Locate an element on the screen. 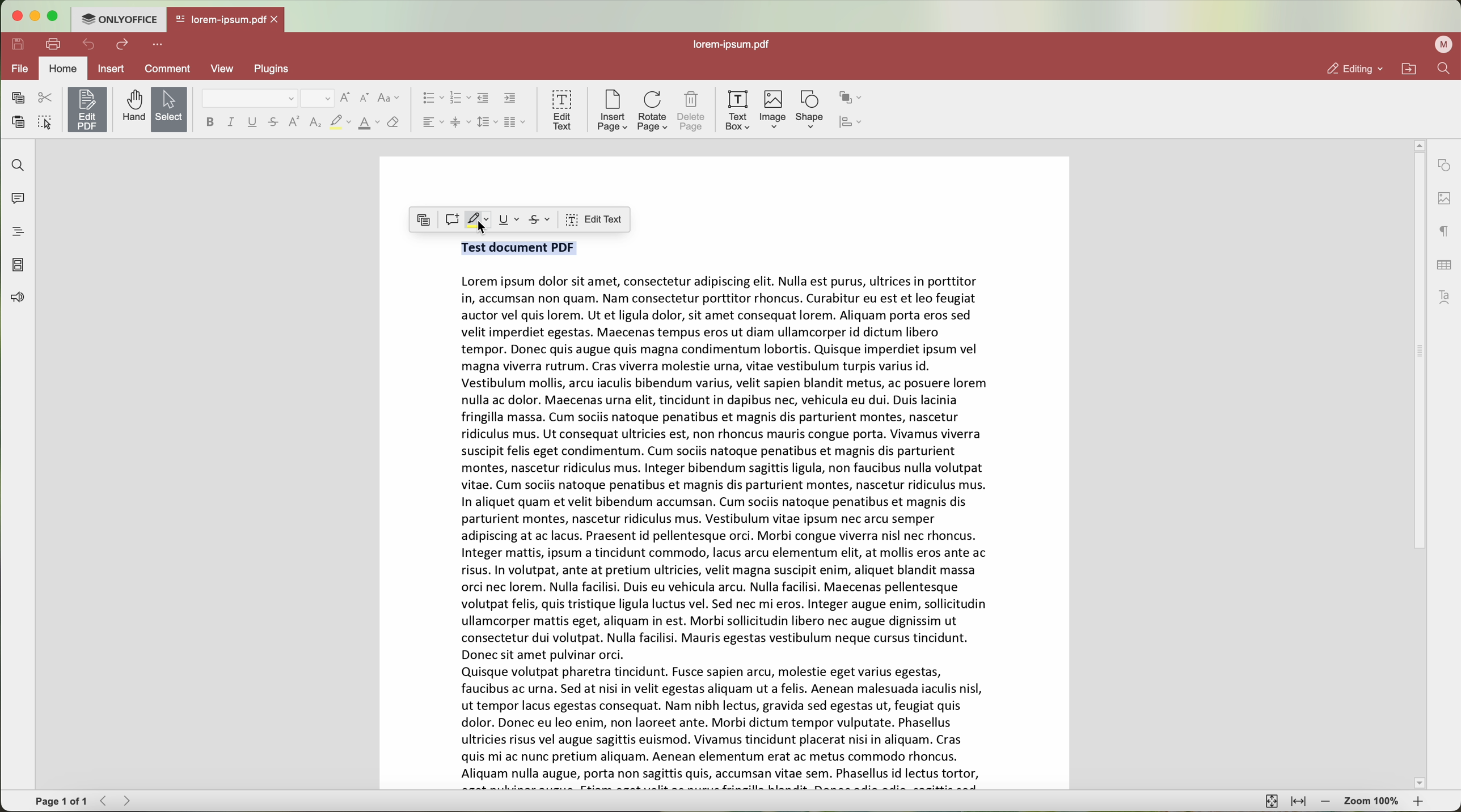 This screenshot has height=812, width=1461. customize quick access toolbar is located at coordinates (160, 44).